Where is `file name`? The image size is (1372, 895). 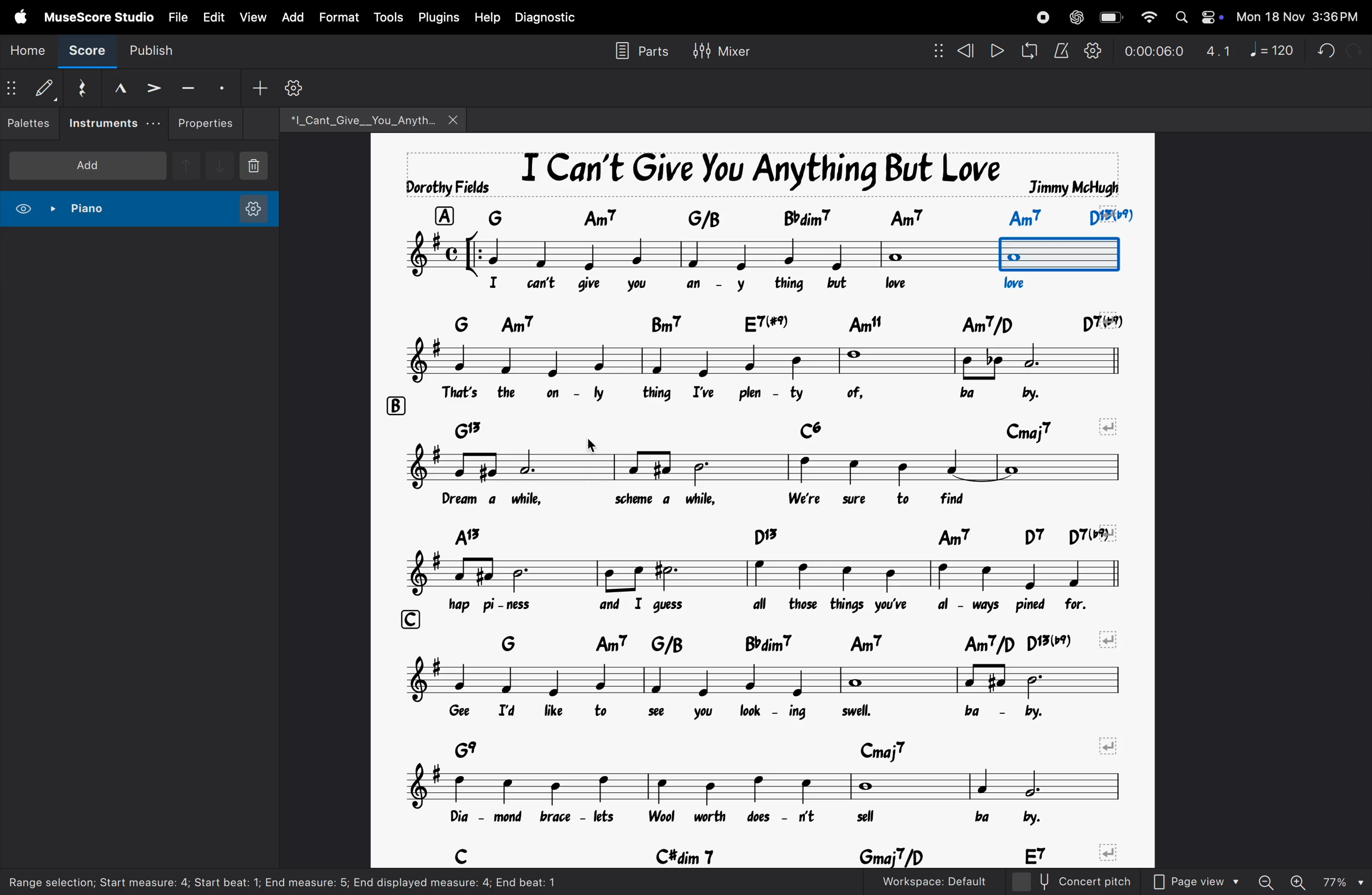
file name is located at coordinates (367, 118).